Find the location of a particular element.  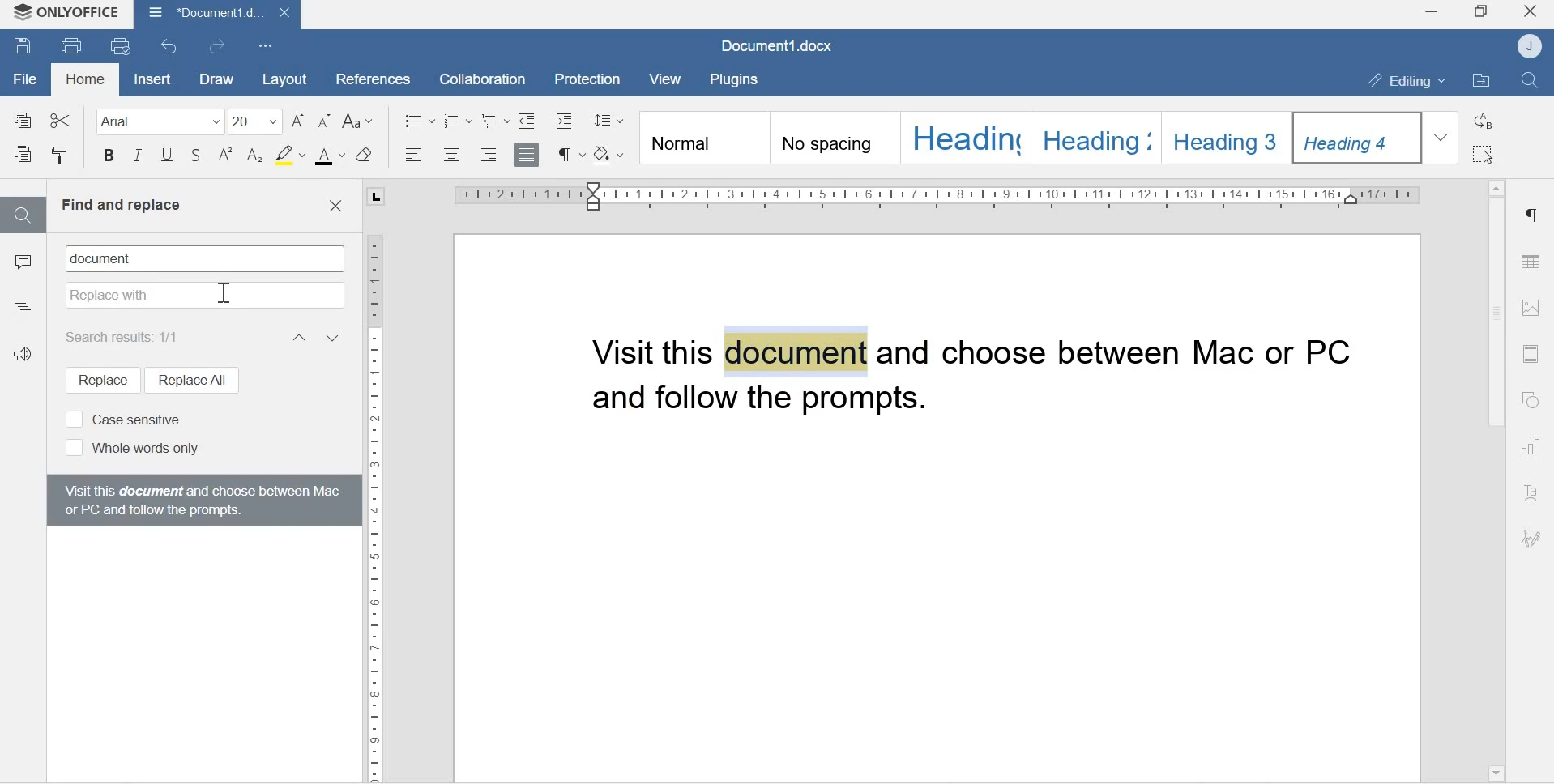

Scale is located at coordinates (921, 195).